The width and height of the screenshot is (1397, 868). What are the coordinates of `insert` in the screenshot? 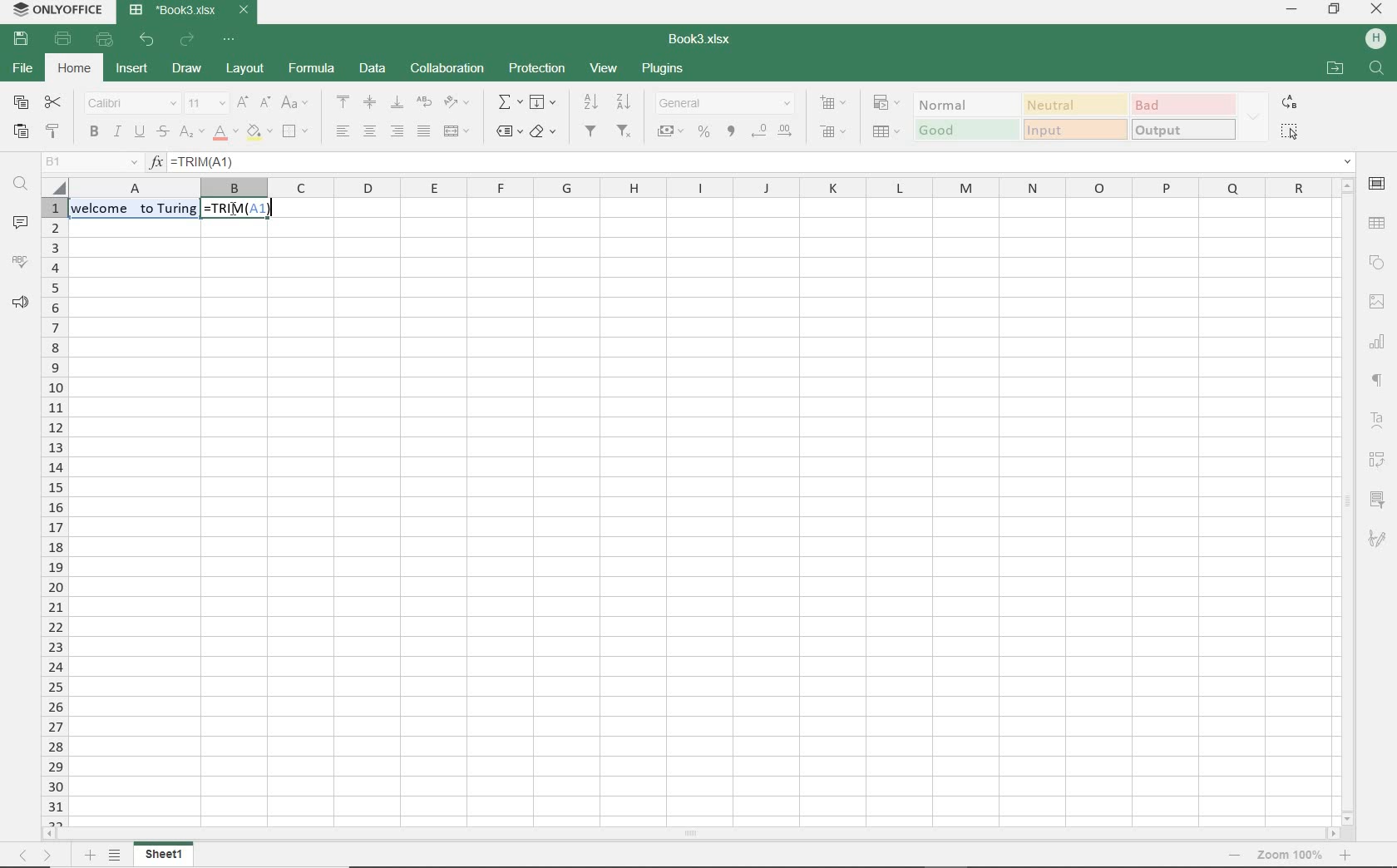 It's located at (133, 70).